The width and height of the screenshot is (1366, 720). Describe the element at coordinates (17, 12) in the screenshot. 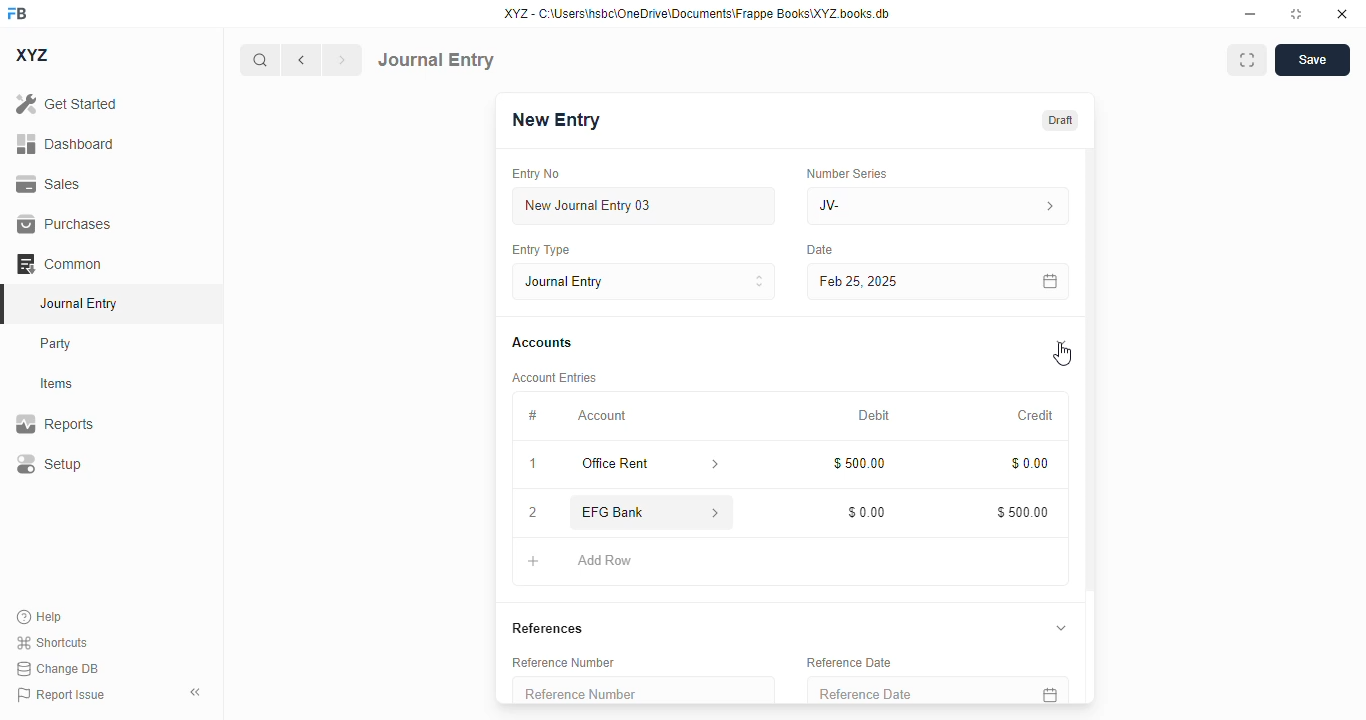

I see `FB logo` at that location.